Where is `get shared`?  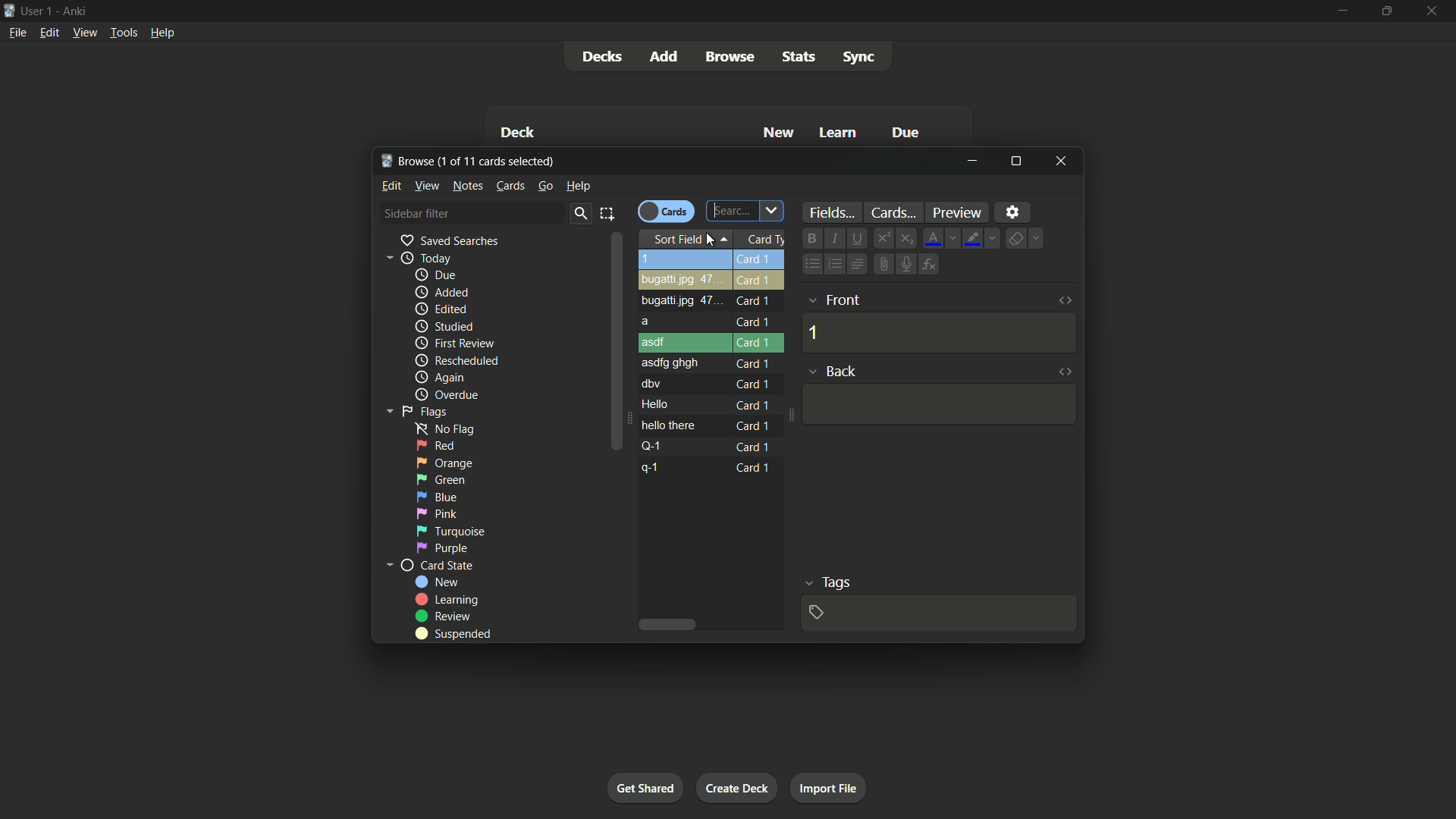 get shared is located at coordinates (648, 789).